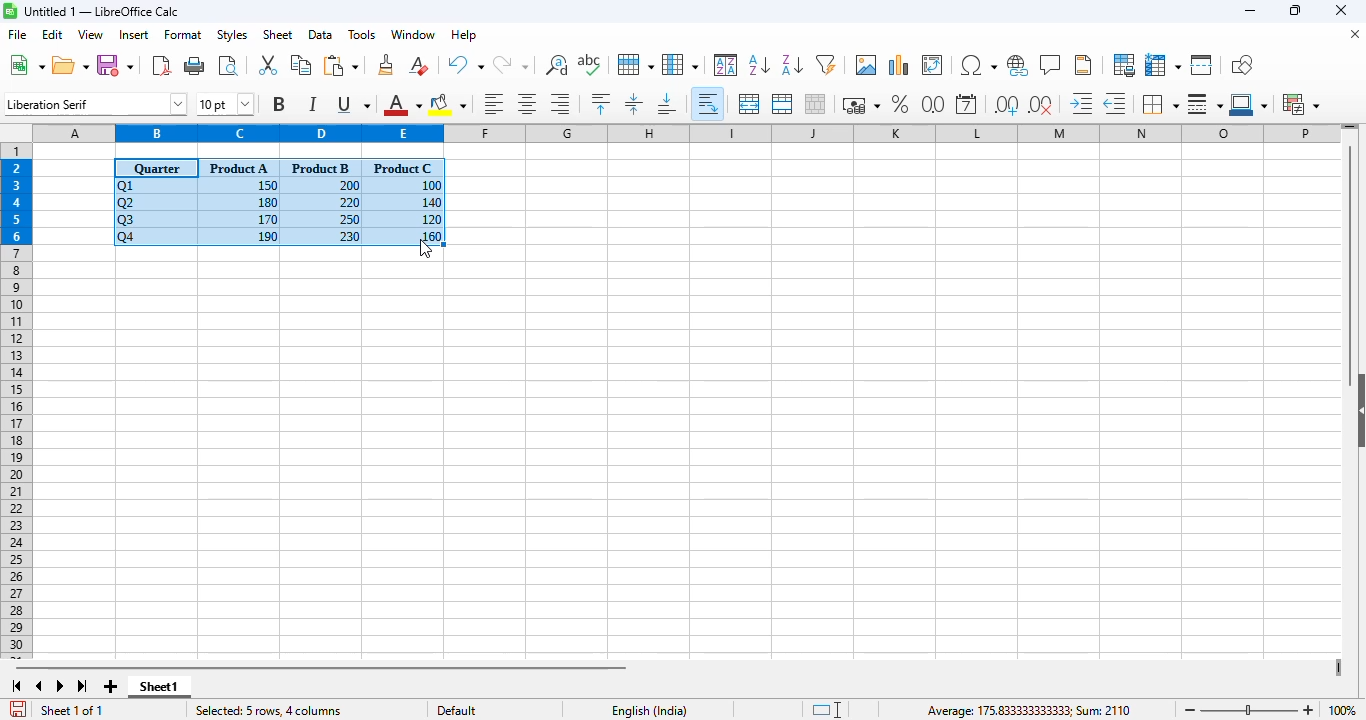 The height and width of the screenshot is (720, 1366). I want to click on align bottom, so click(668, 104).